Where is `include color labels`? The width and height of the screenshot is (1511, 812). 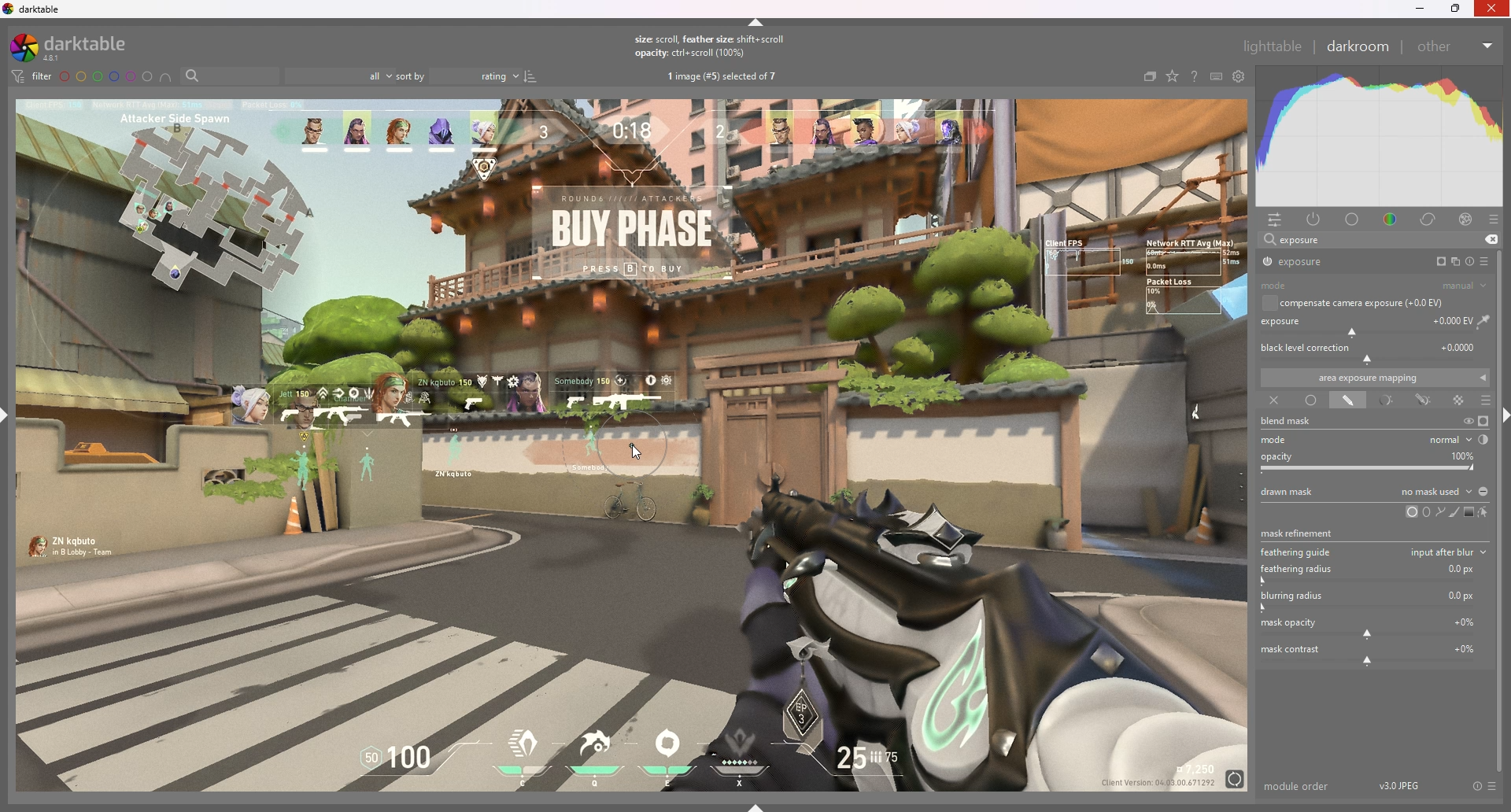 include color labels is located at coordinates (168, 77).